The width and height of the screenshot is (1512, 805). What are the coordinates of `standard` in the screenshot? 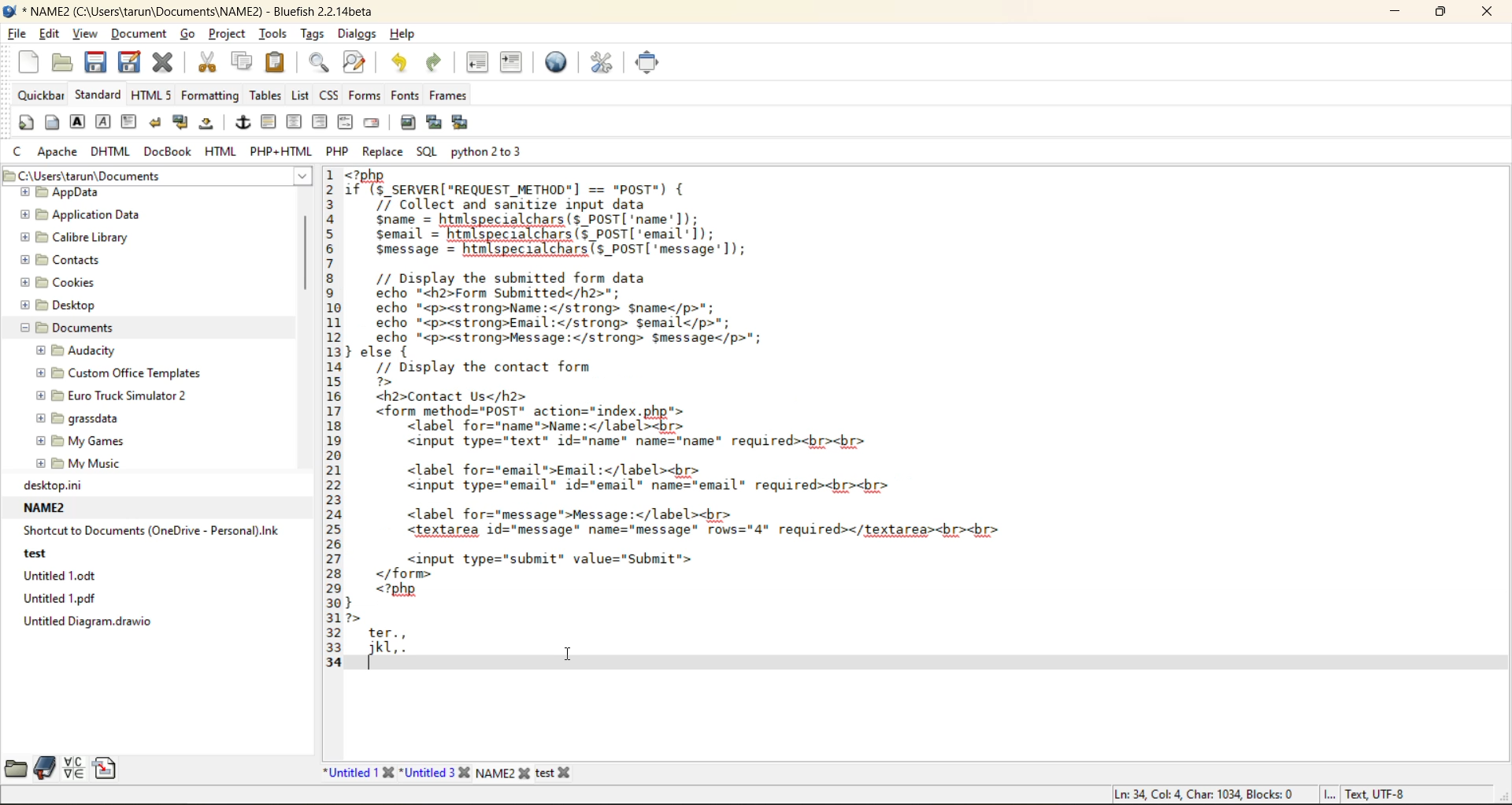 It's located at (97, 94).